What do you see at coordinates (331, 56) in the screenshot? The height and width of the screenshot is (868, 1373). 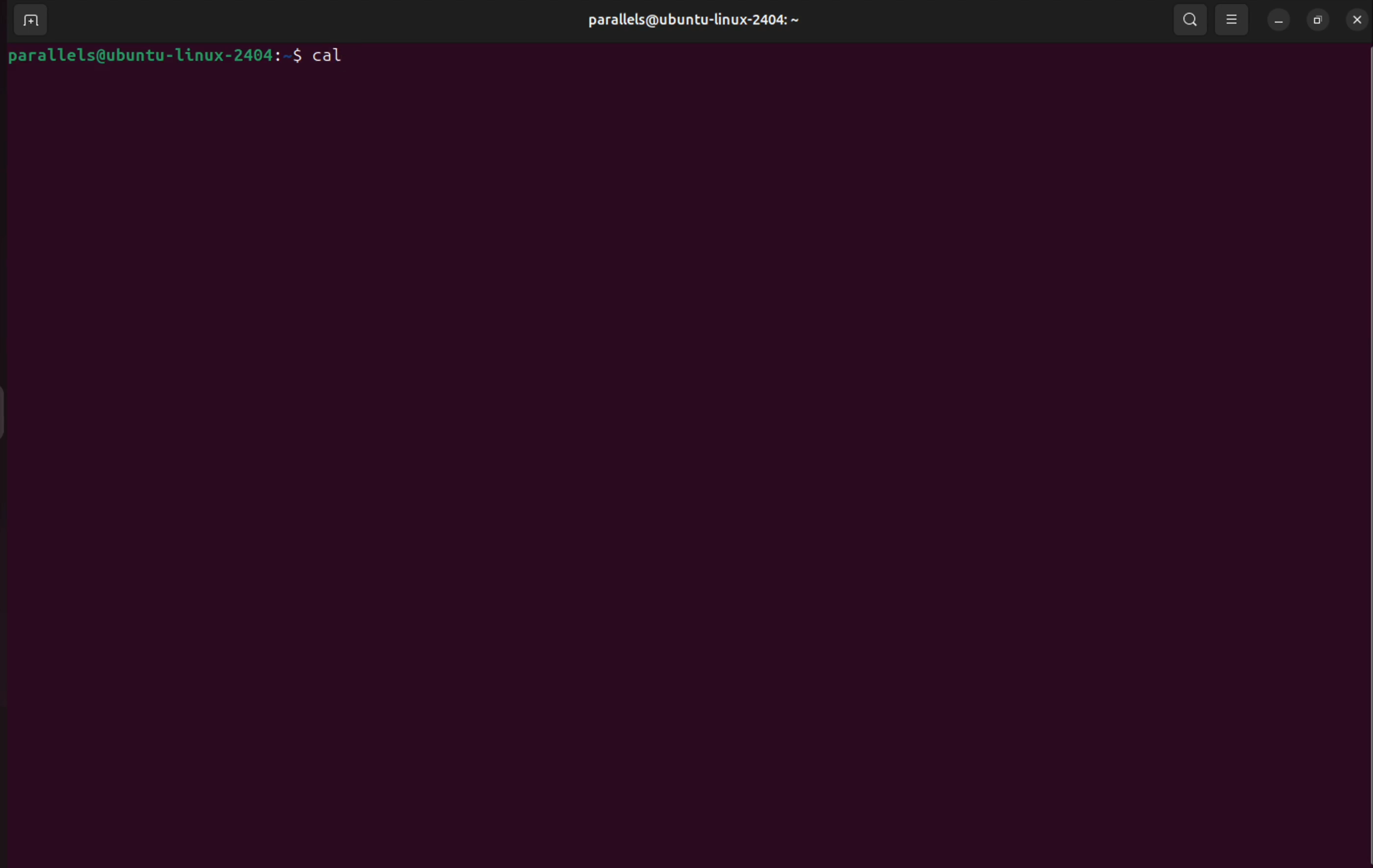 I see `cal` at bounding box center [331, 56].